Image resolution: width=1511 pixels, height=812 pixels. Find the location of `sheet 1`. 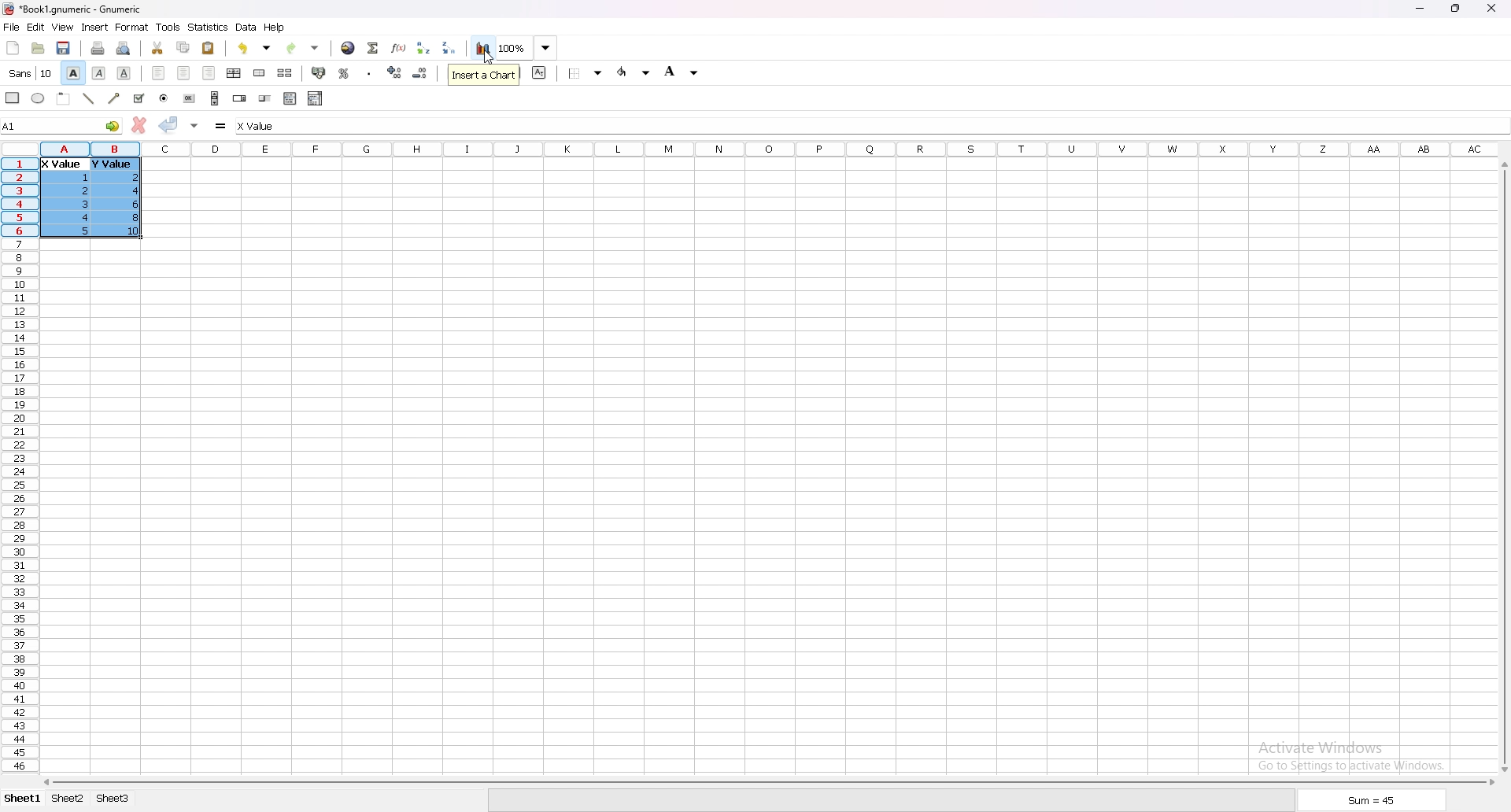

sheet 1 is located at coordinates (24, 799).